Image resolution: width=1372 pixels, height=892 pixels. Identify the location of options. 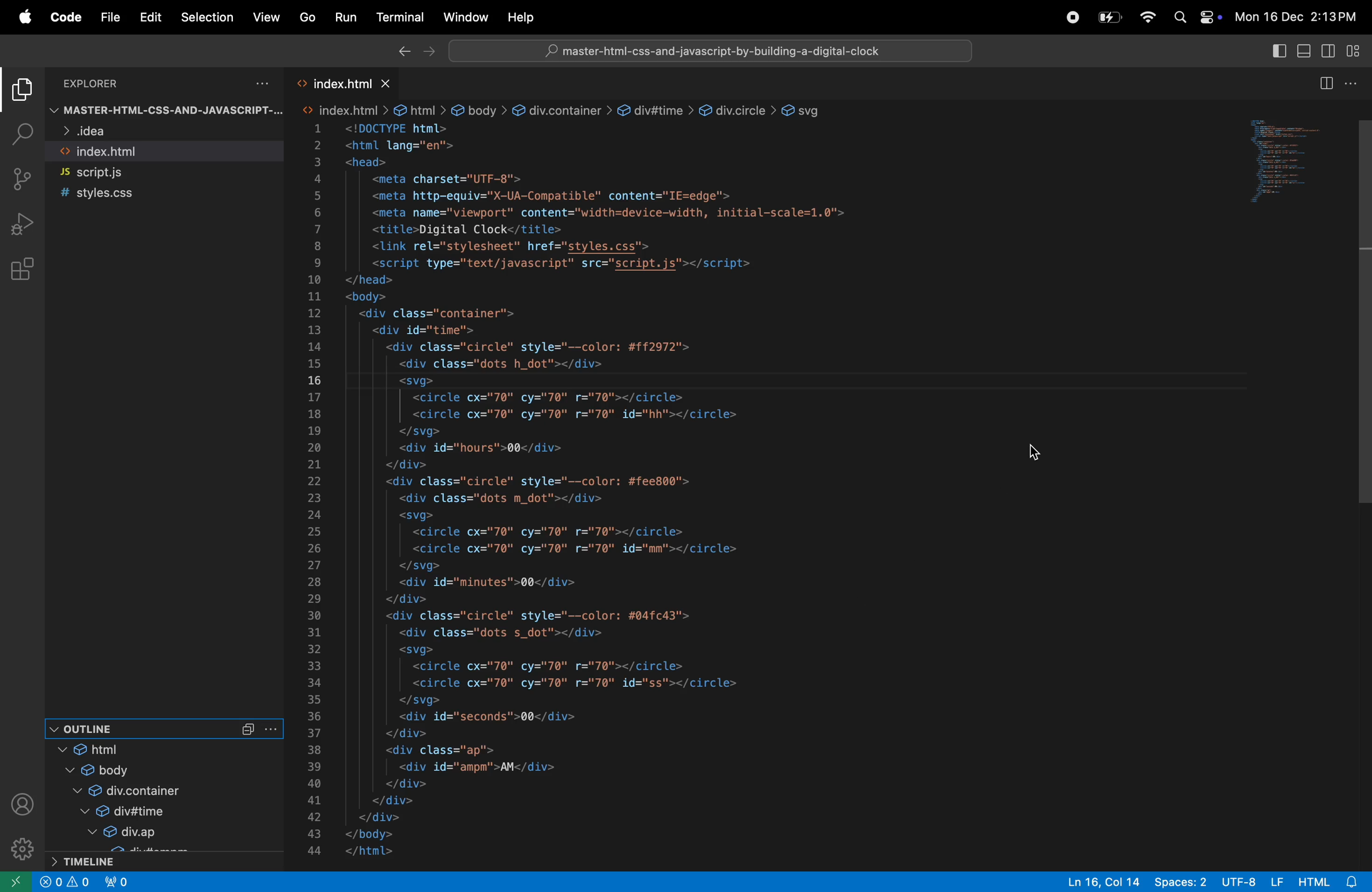
(1356, 84).